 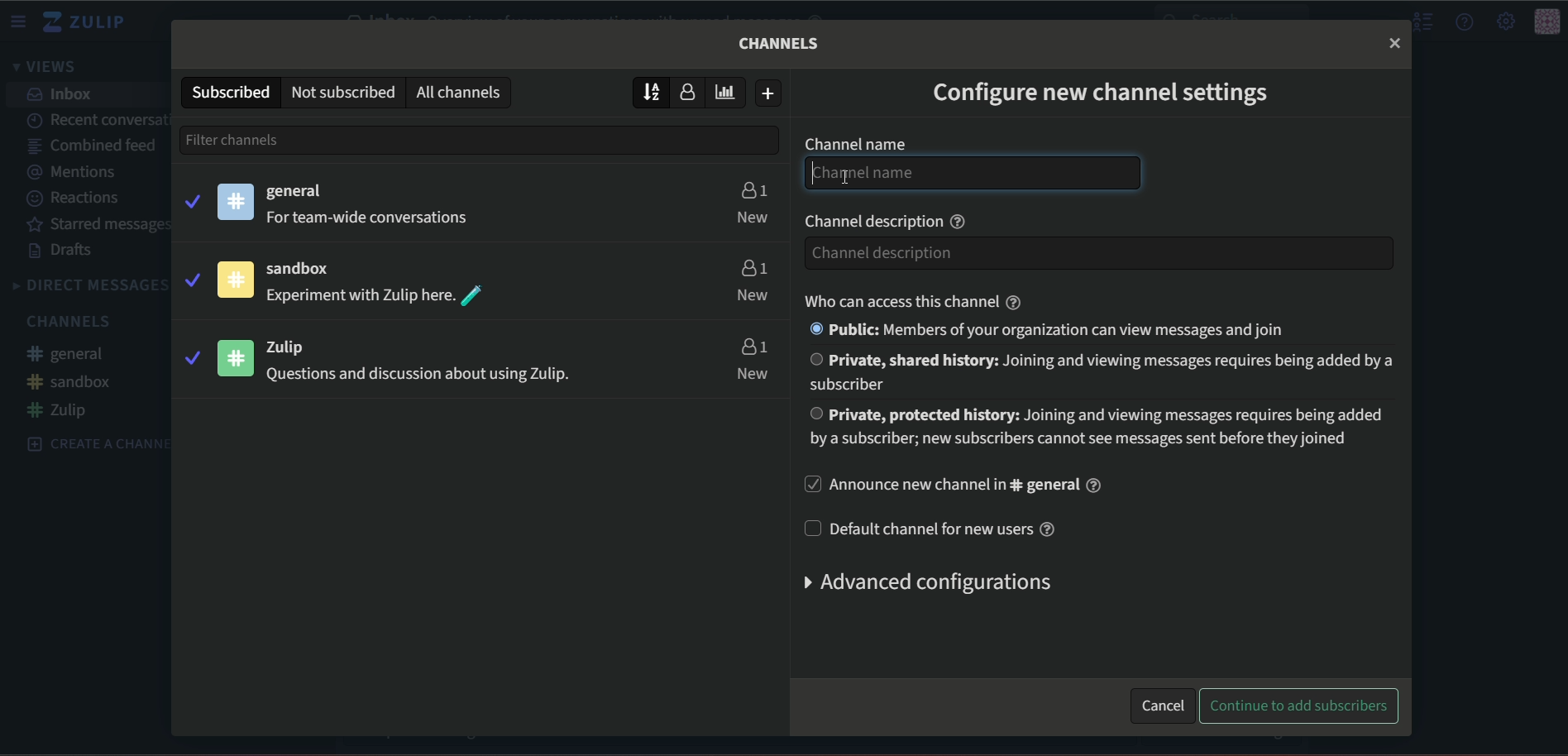 What do you see at coordinates (191, 199) in the screenshot?
I see `tick` at bounding box center [191, 199].